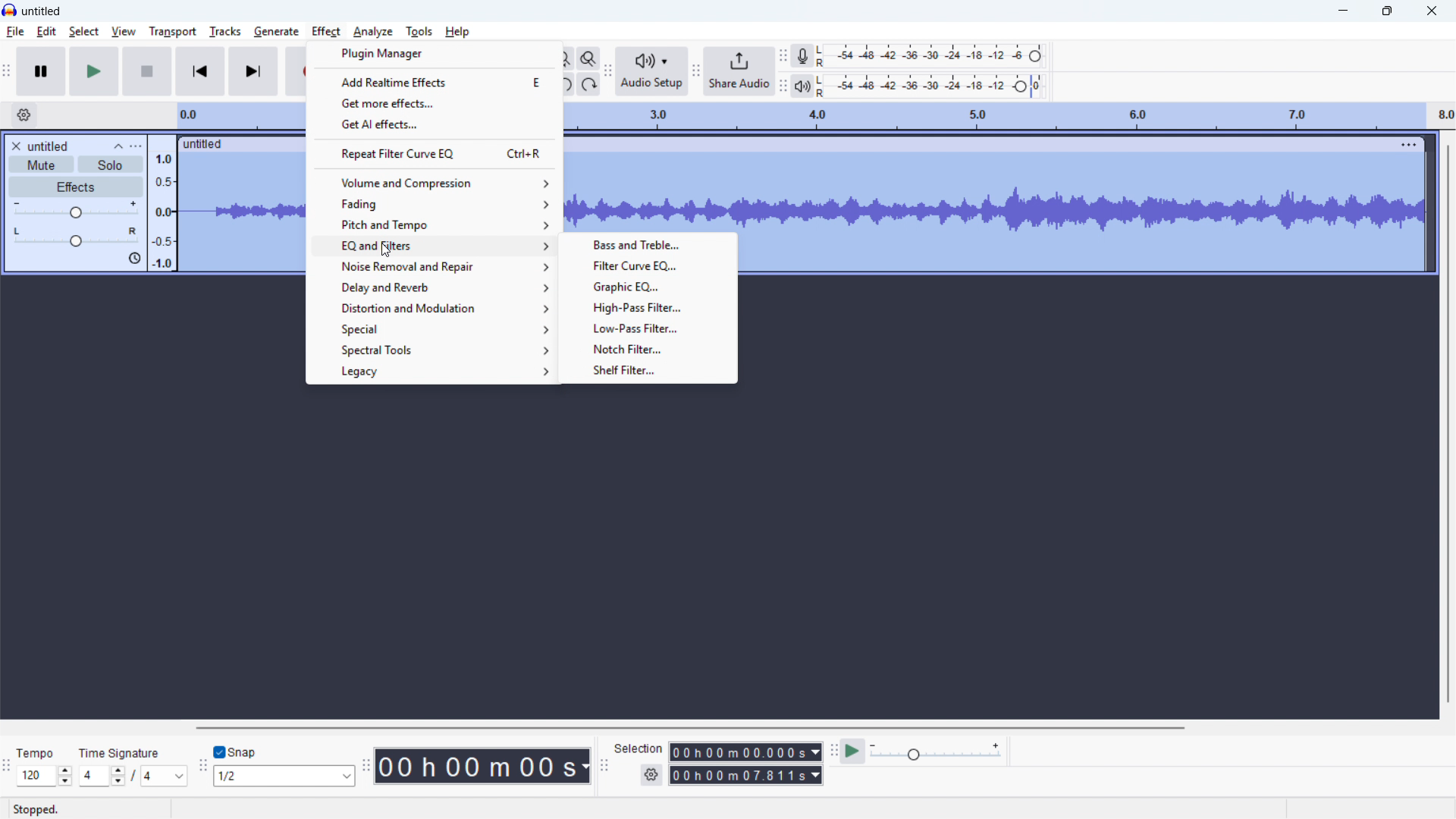 This screenshot has height=819, width=1456. What do you see at coordinates (76, 210) in the screenshot?
I see `gain` at bounding box center [76, 210].